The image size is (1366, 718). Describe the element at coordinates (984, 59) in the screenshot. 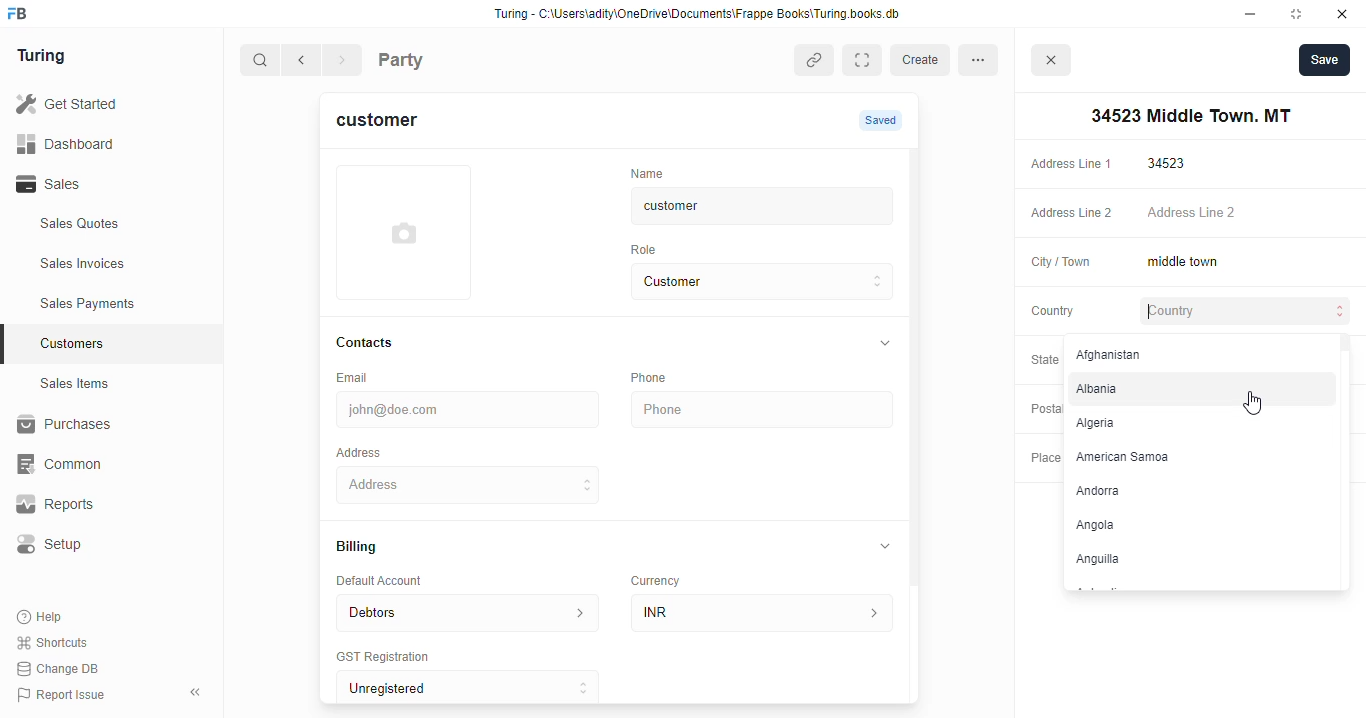

I see `more options` at that location.